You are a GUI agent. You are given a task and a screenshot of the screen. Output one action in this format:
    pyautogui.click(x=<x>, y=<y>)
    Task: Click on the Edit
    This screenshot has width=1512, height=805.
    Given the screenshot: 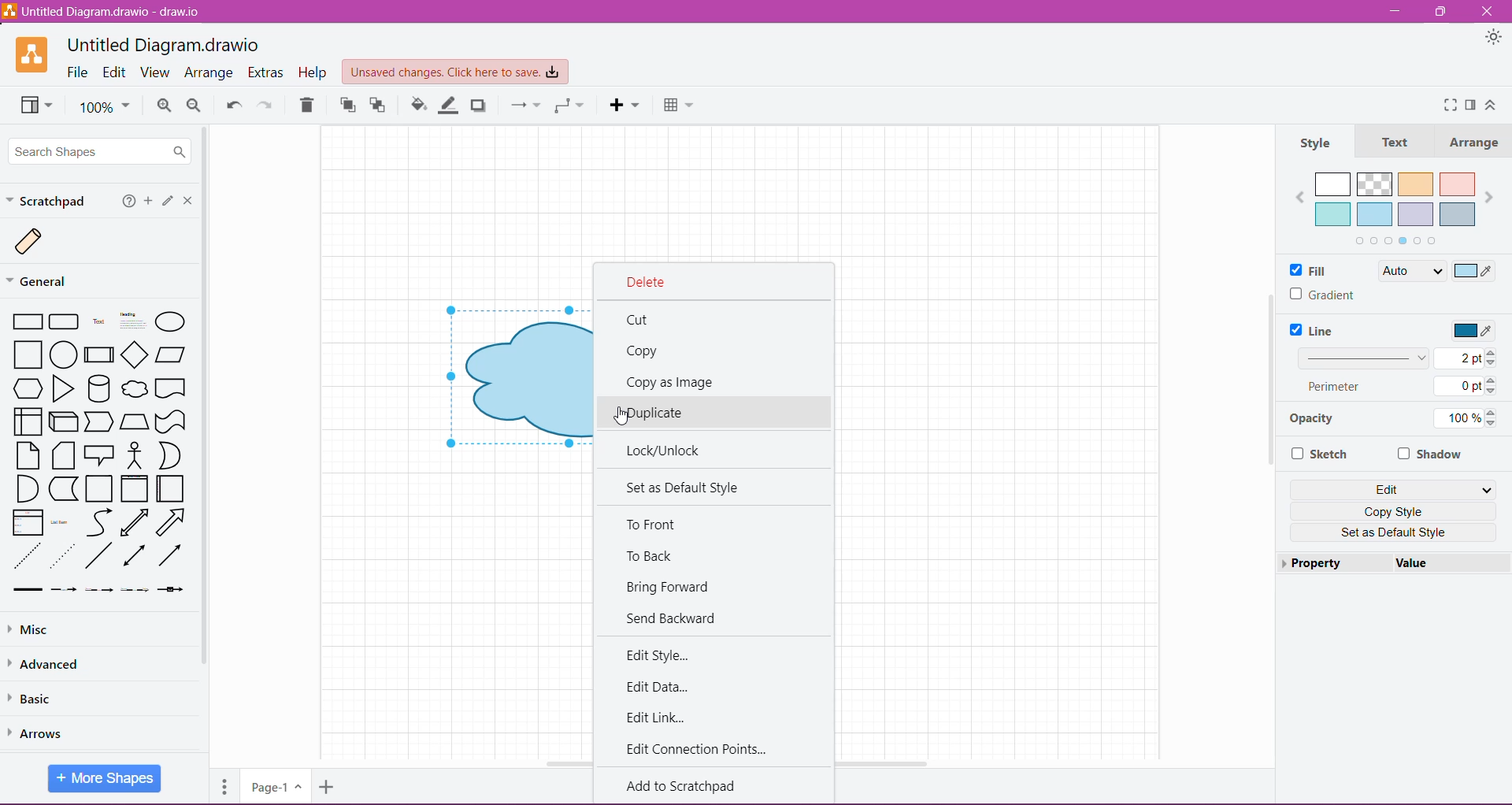 What is the action you would take?
    pyautogui.click(x=1393, y=489)
    